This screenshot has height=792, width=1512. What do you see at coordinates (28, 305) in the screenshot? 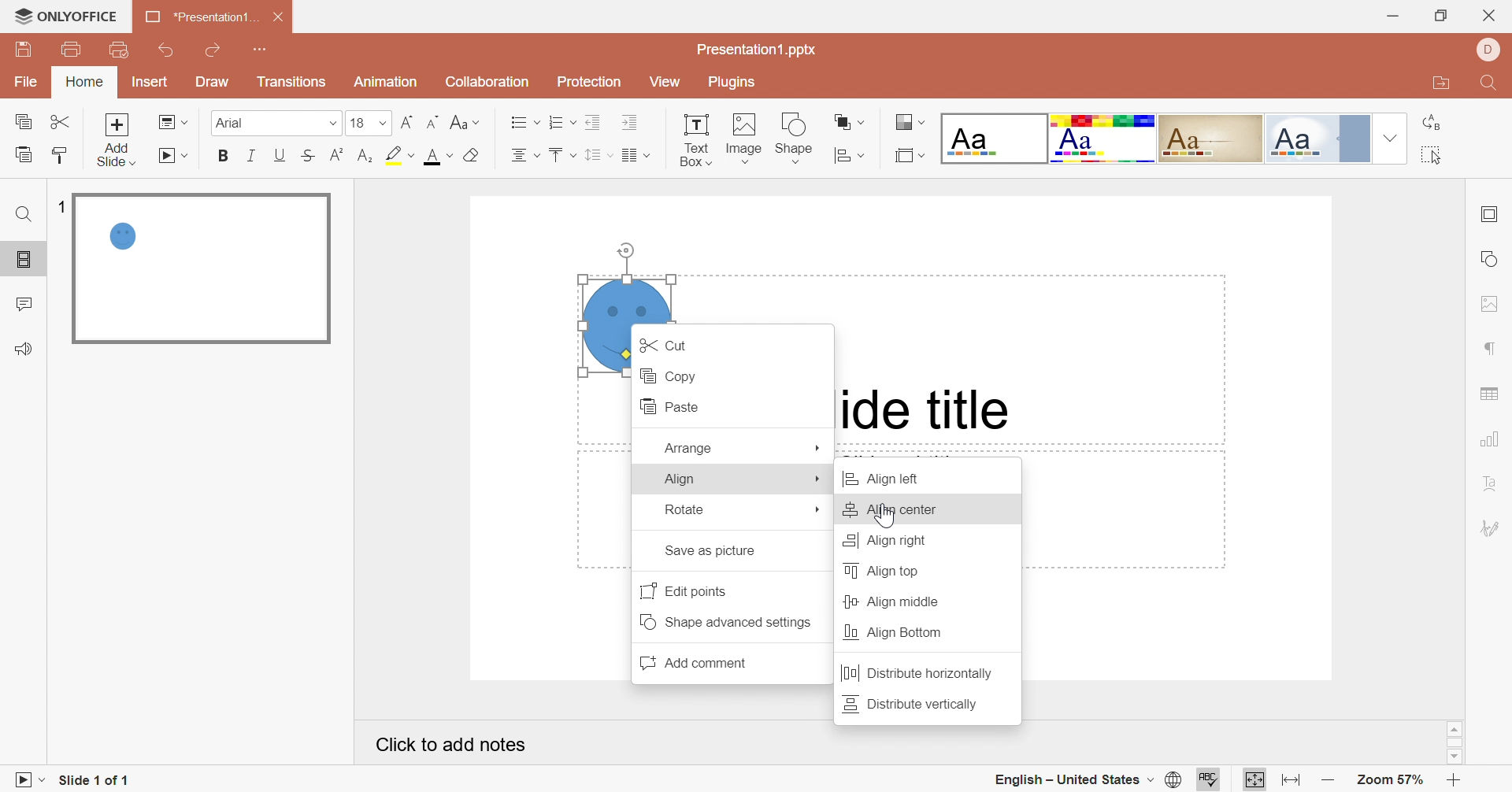
I see `Comments` at bounding box center [28, 305].